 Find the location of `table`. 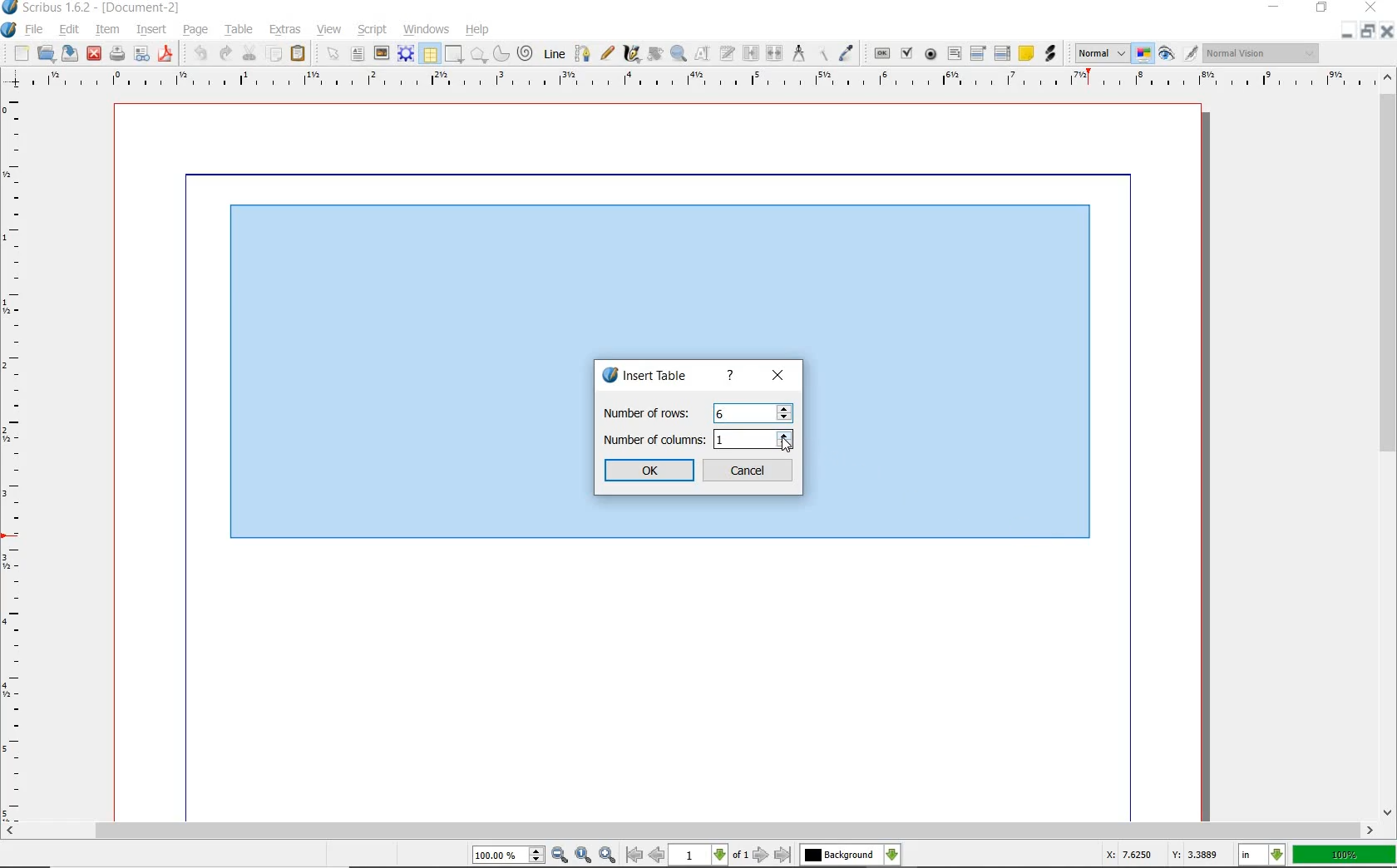

table is located at coordinates (430, 54).